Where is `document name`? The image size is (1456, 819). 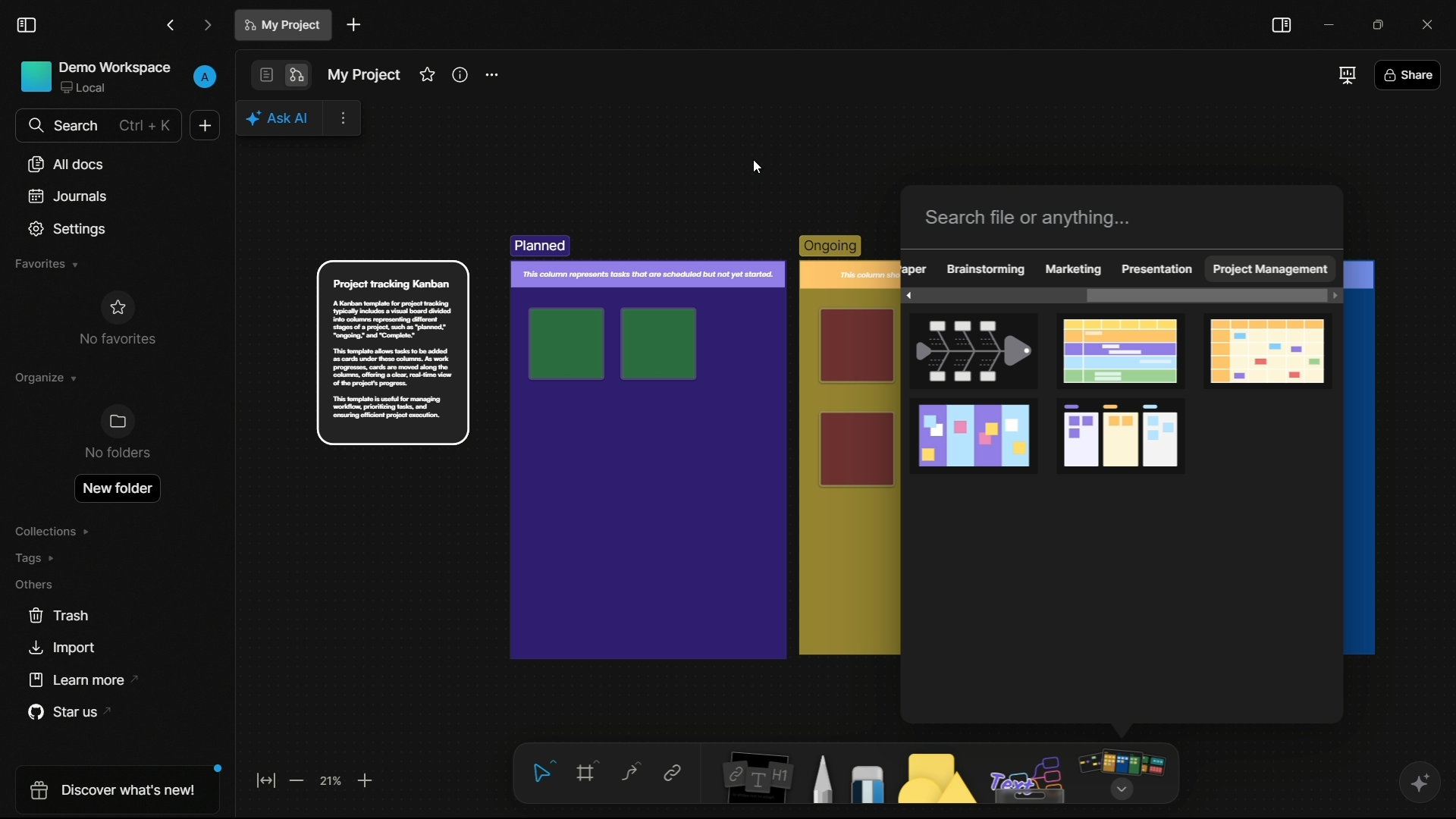 document name is located at coordinates (285, 25).